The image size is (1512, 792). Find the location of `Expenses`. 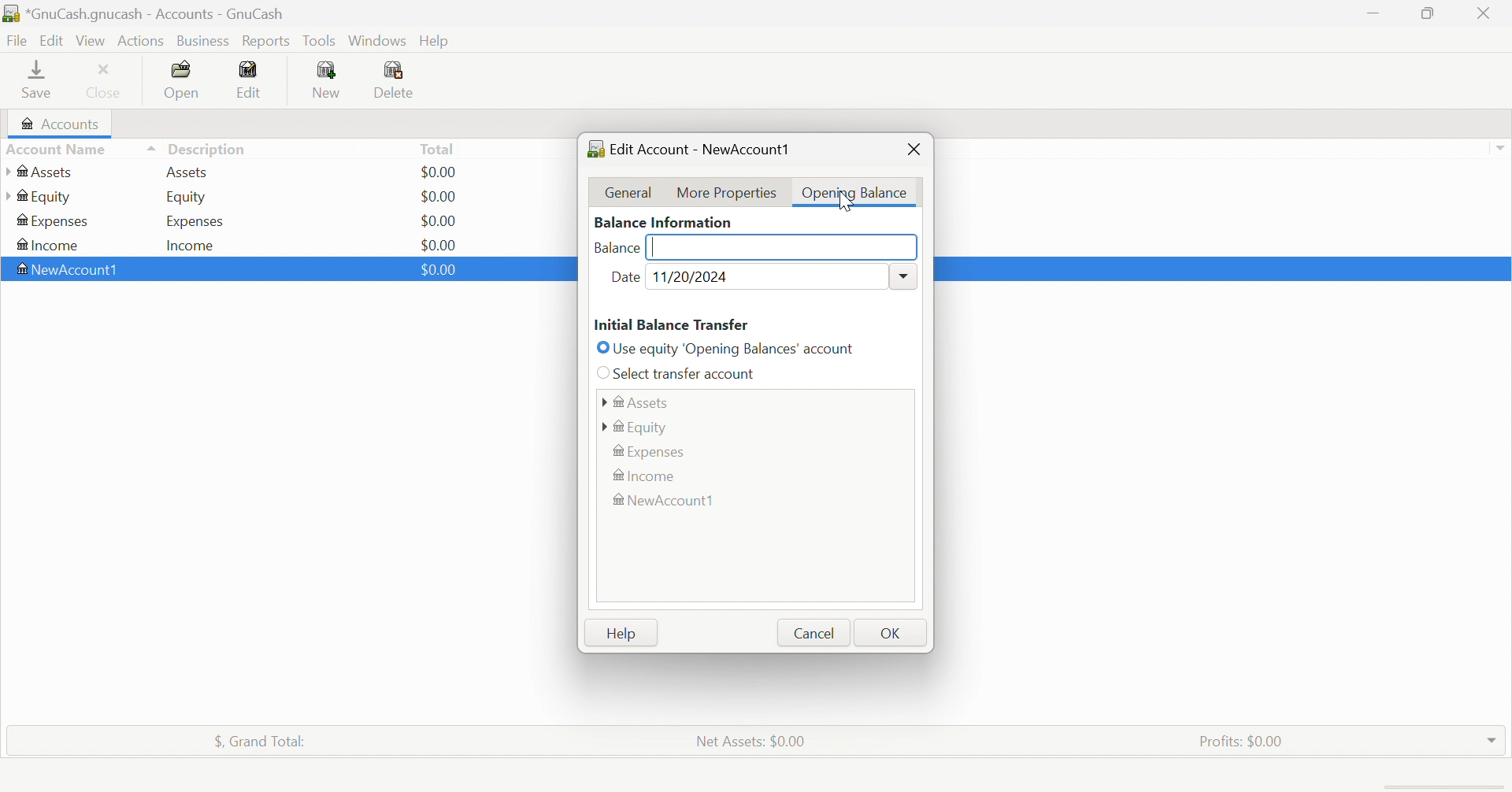

Expenses is located at coordinates (54, 221).